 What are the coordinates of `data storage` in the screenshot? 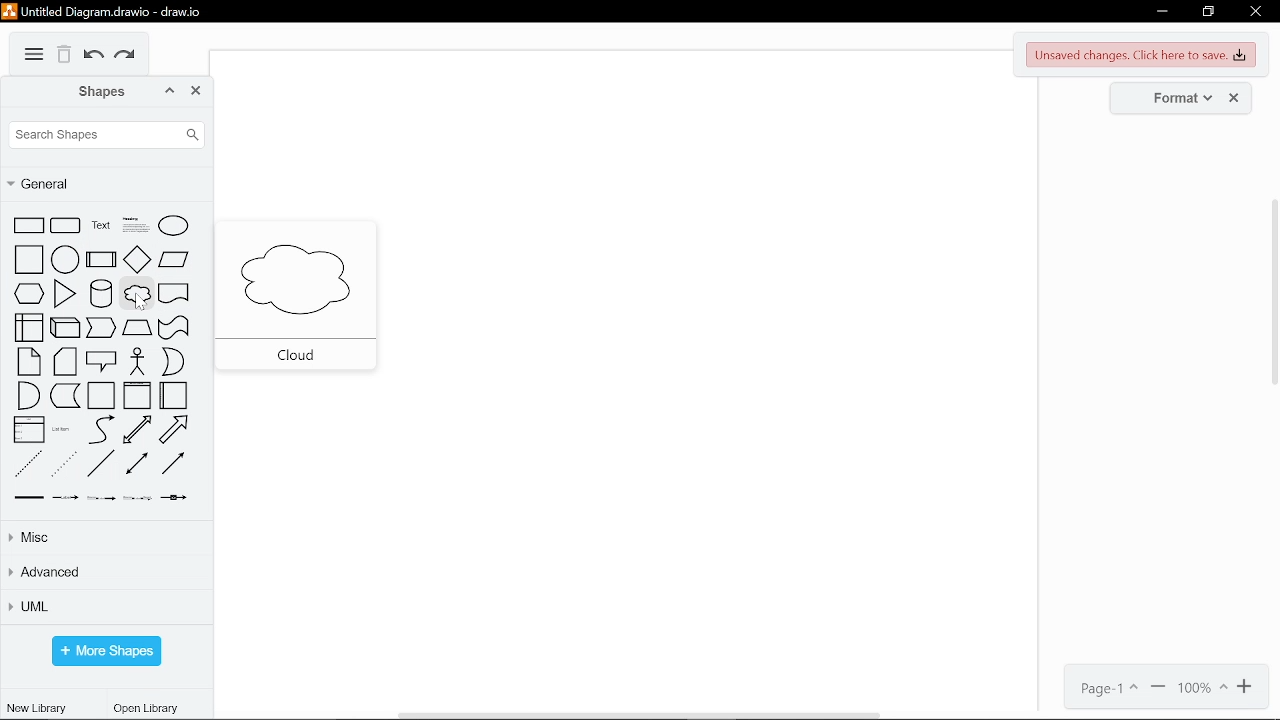 It's located at (66, 396).